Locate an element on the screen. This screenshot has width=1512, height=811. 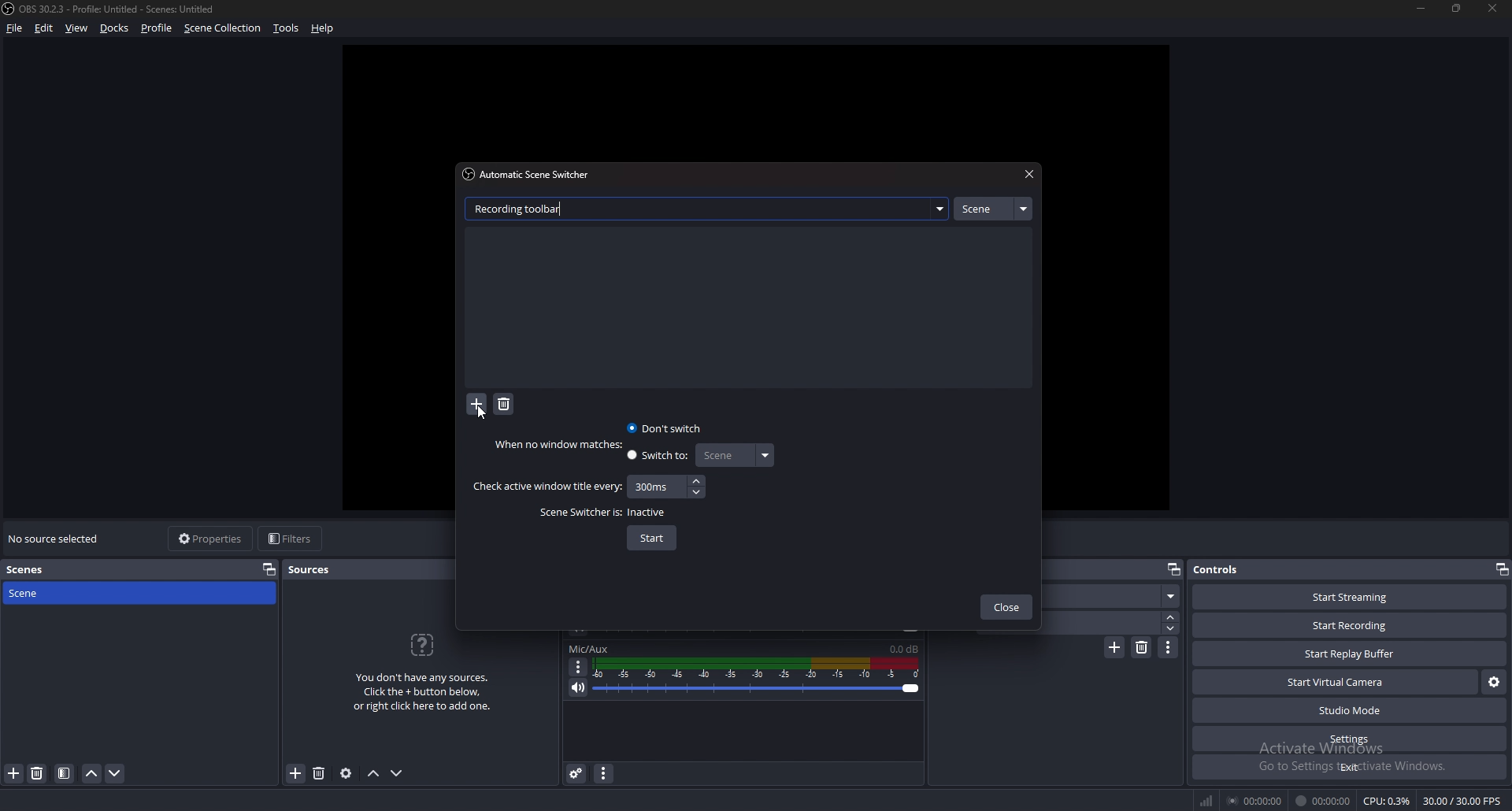
scene collection is located at coordinates (224, 27).